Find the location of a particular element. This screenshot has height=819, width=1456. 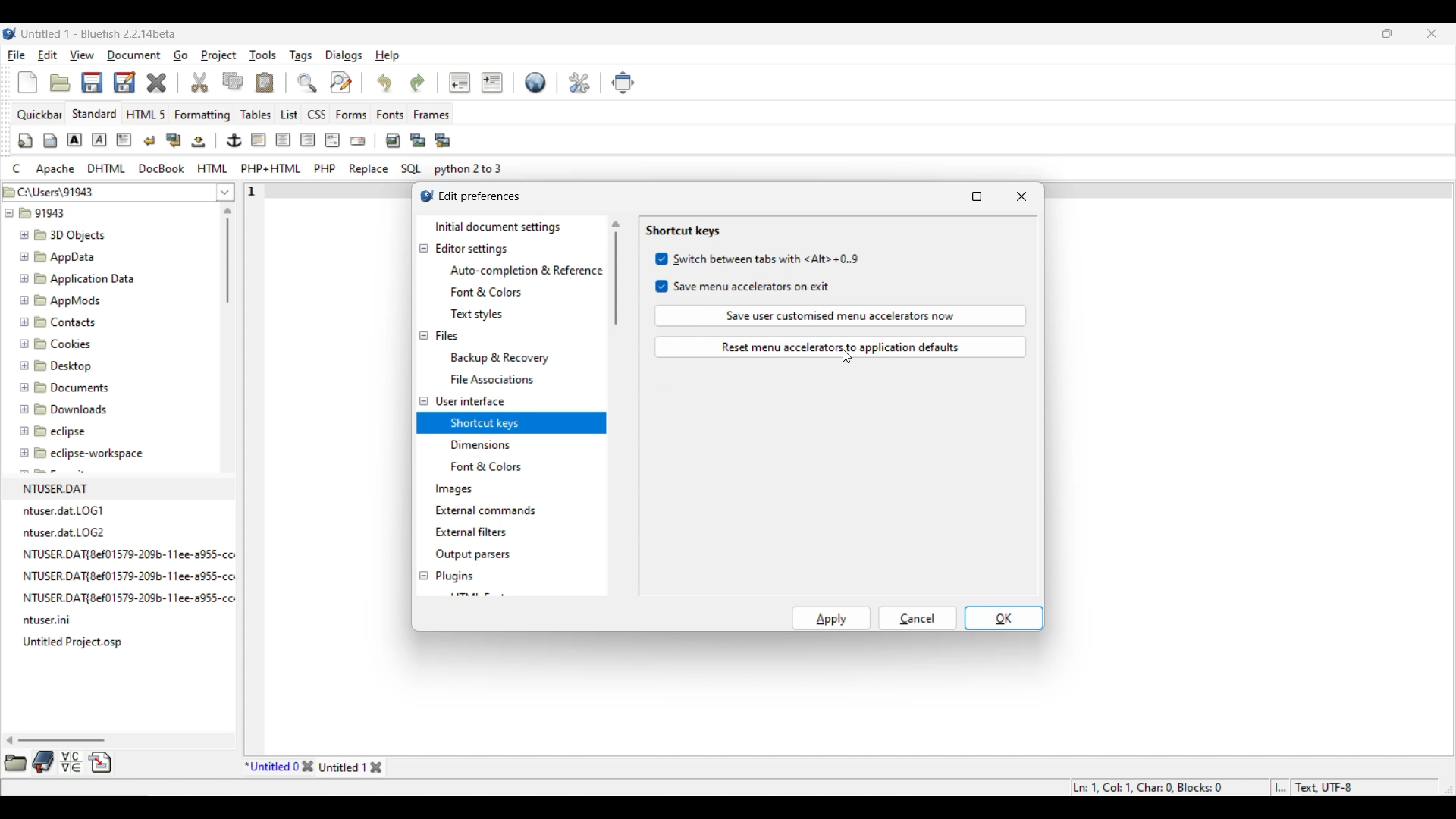

Project menu is located at coordinates (218, 55).